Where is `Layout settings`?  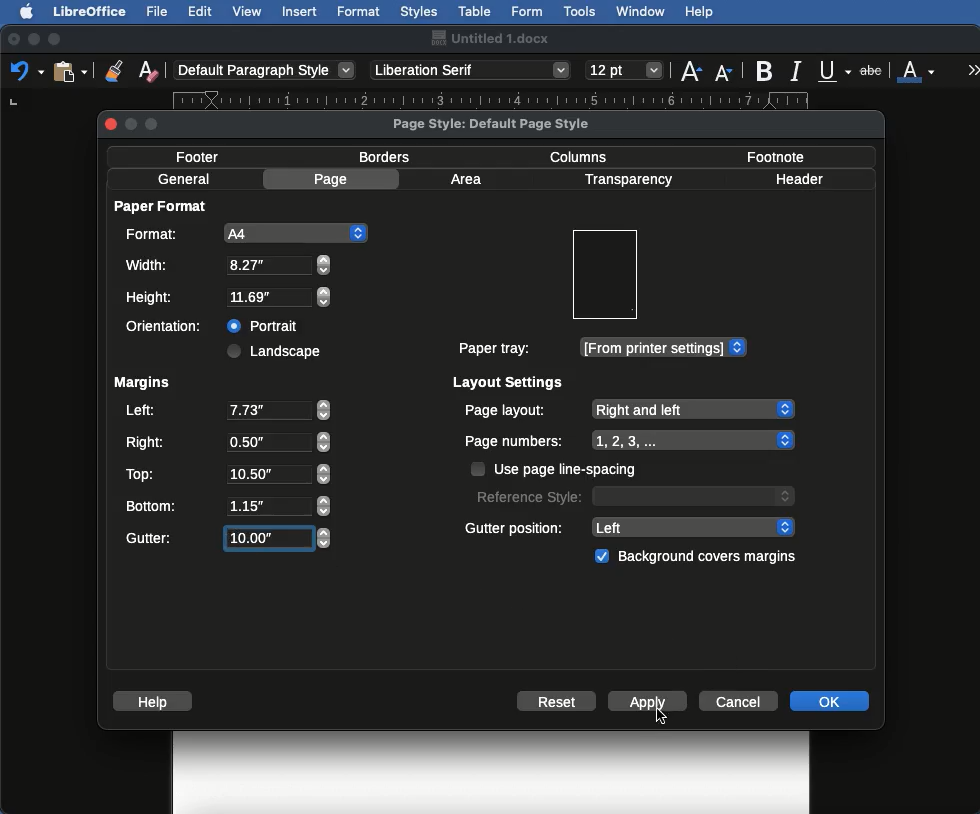
Layout settings is located at coordinates (509, 382).